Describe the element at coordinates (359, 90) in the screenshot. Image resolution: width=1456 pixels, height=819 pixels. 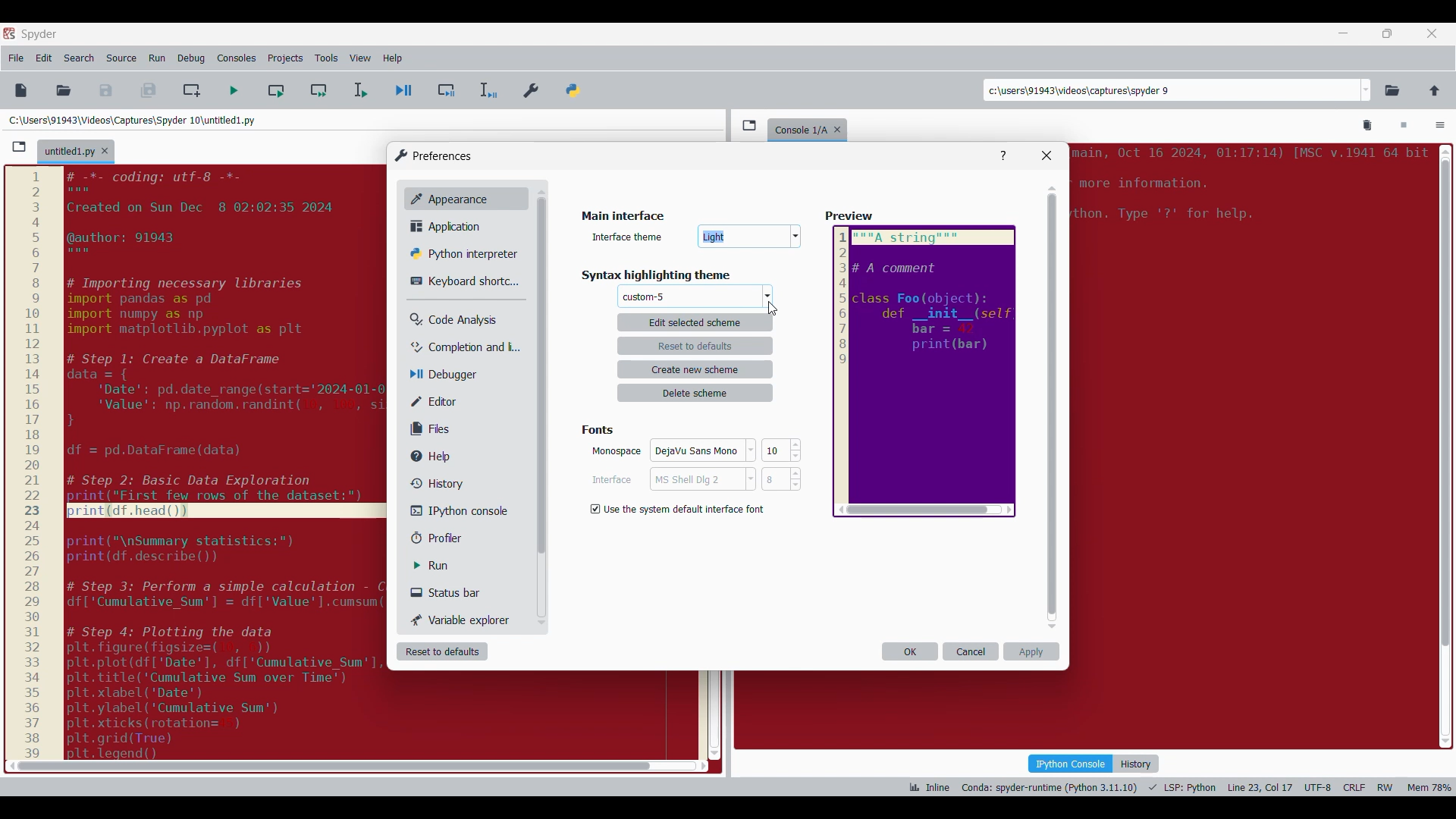
I see `Run selection/current line` at that location.